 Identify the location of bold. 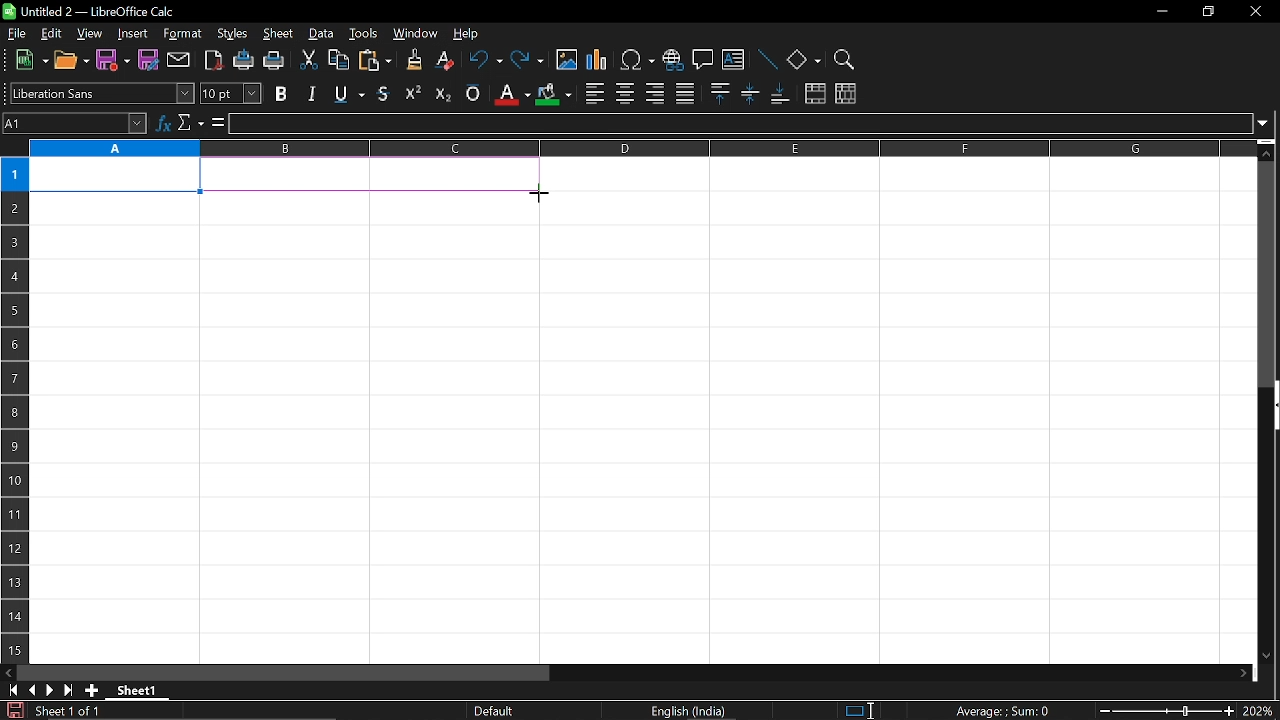
(281, 94).